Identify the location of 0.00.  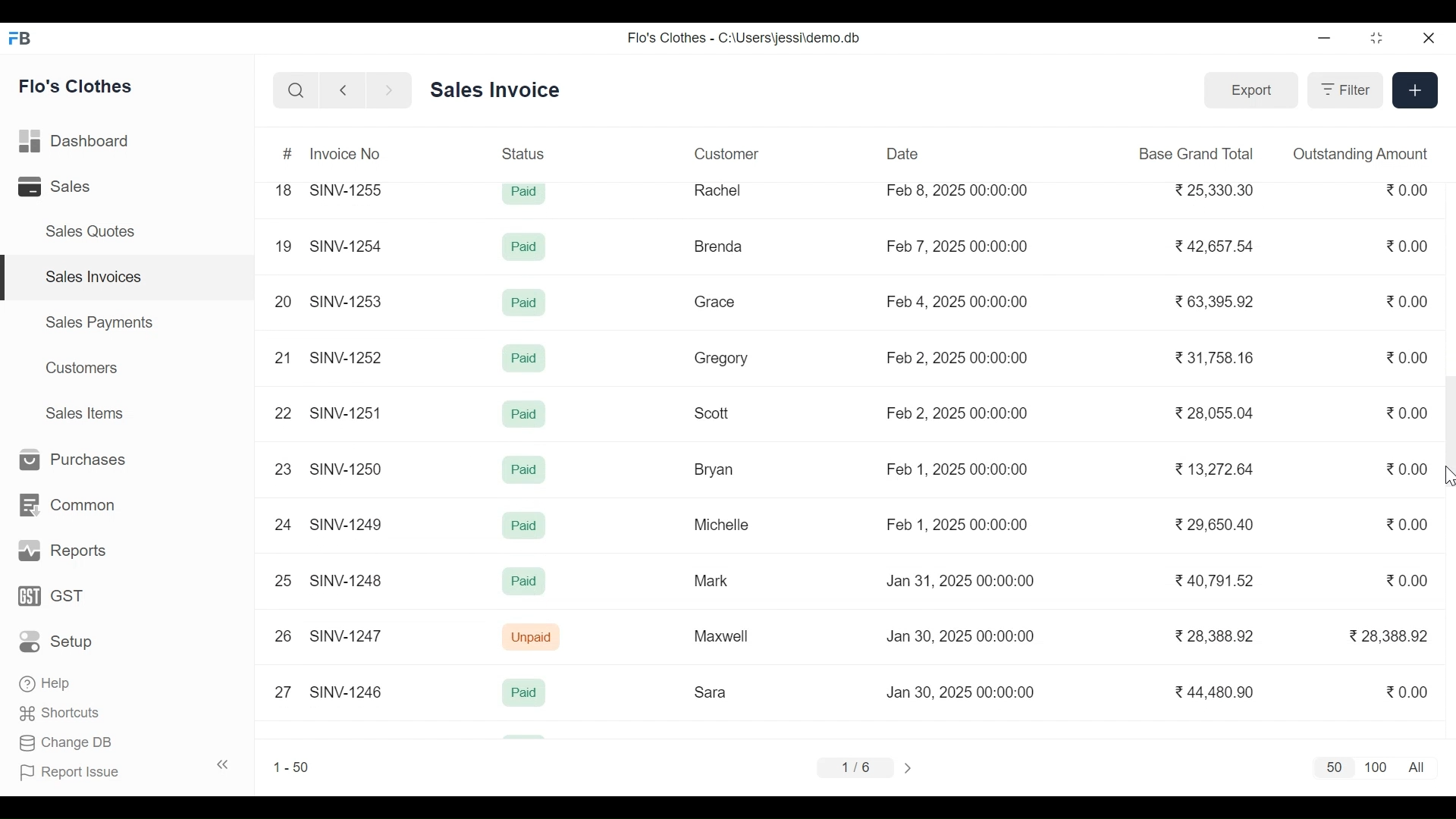
(1409, 690).